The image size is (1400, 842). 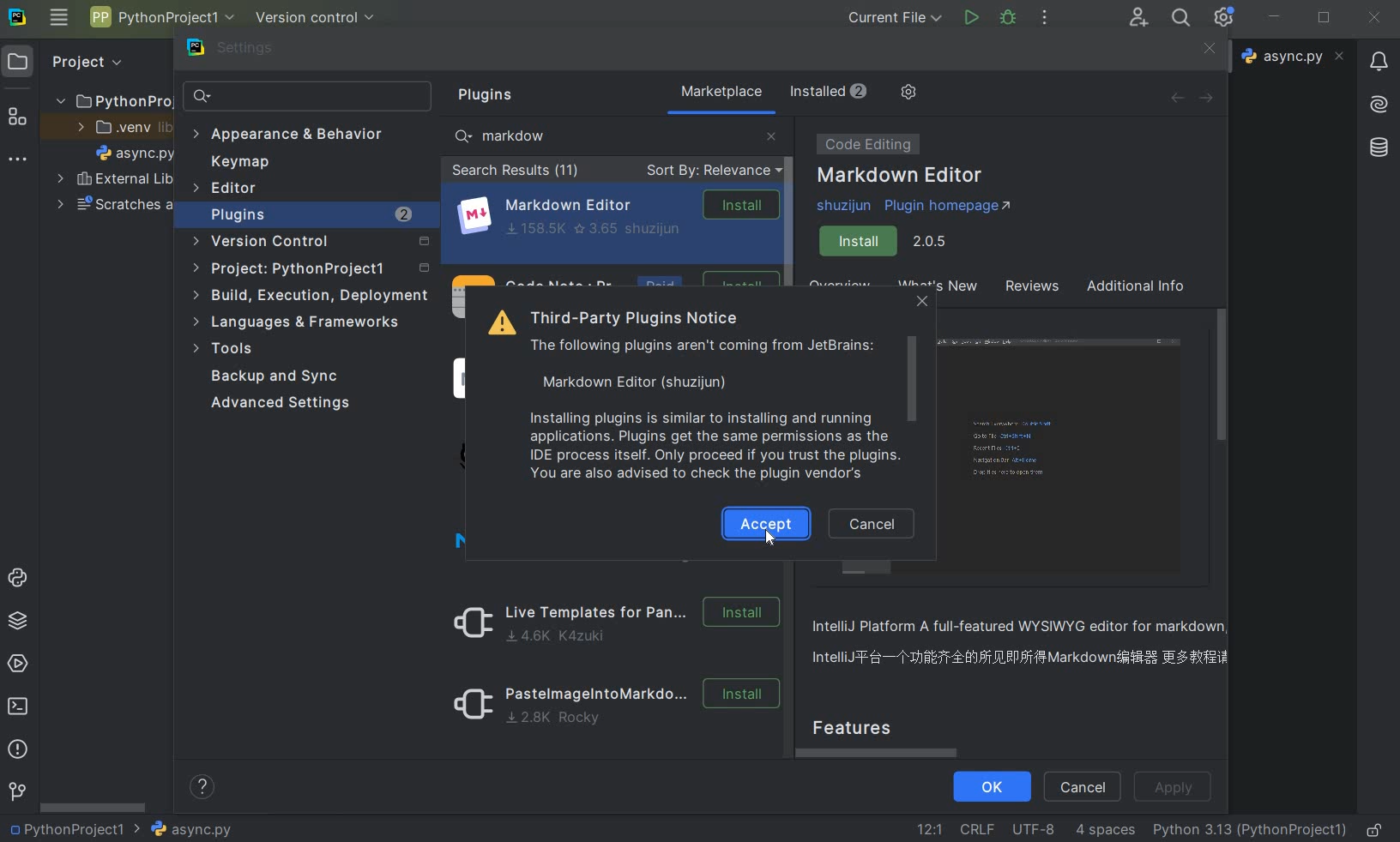 What do you see at coordinates (765, 523) in the screenshot?
I see `accept` at bounding box center [765, 523].